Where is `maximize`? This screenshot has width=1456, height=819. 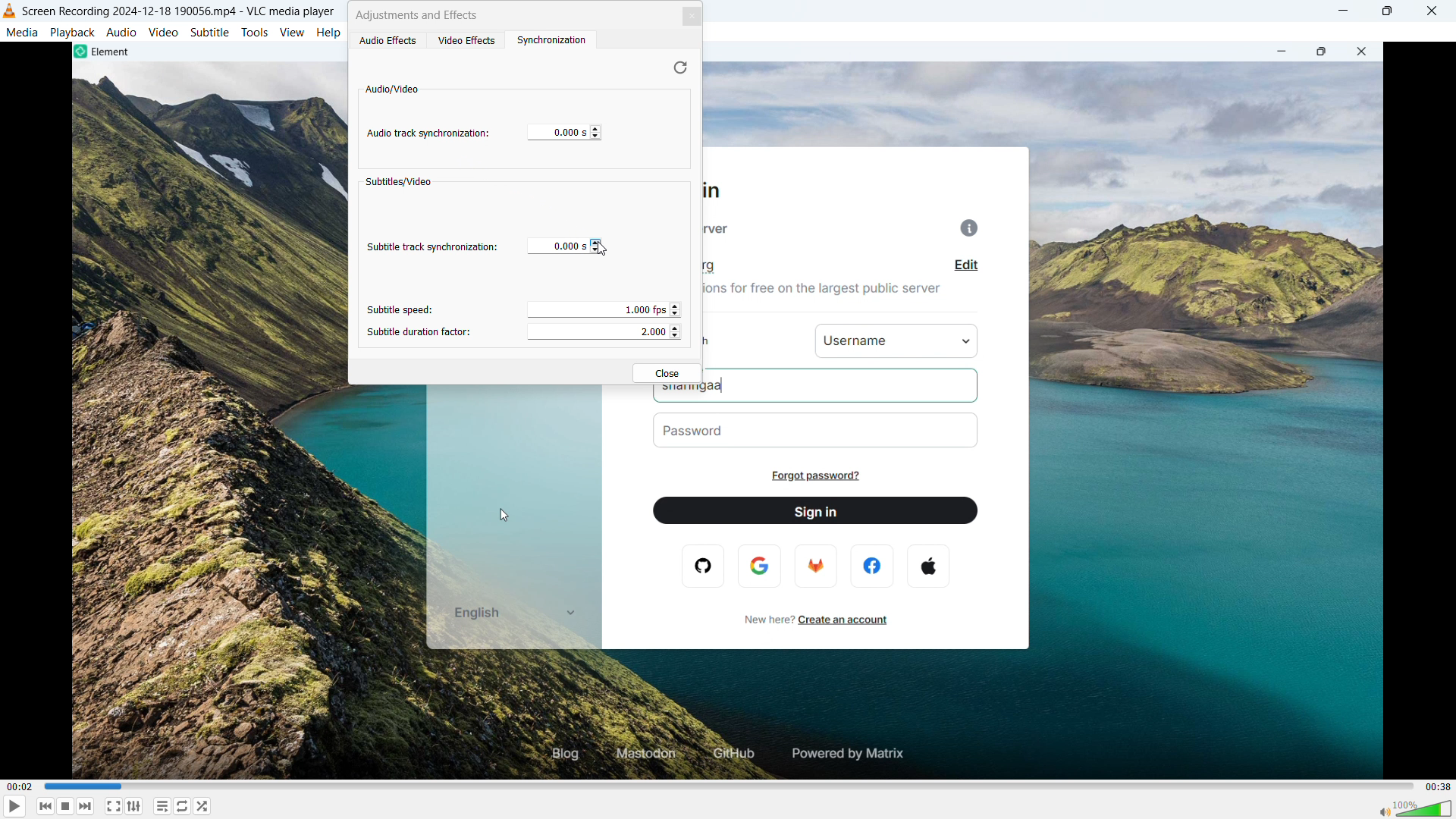 maximize is located at coordinates (1388, 11).